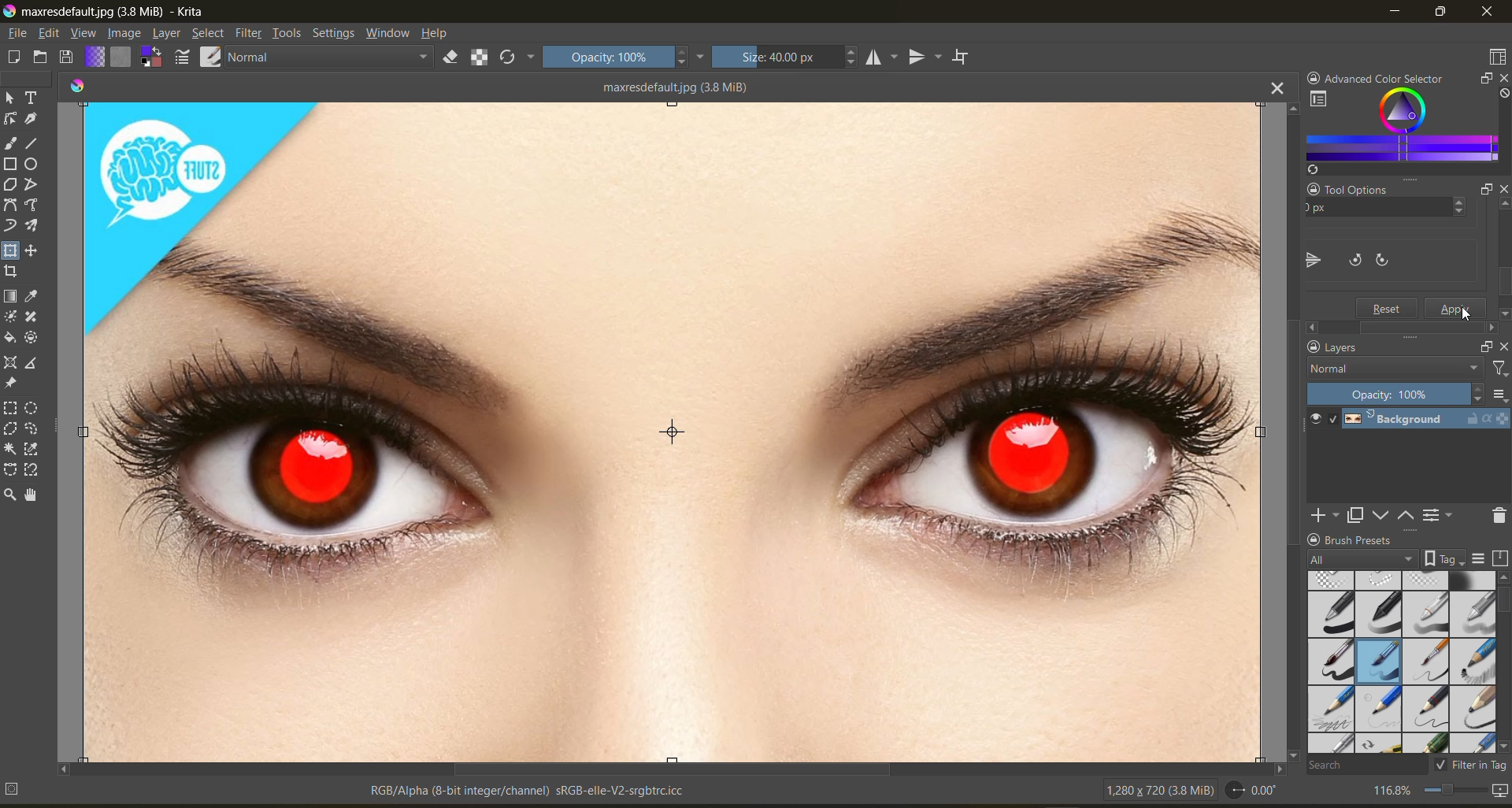  What do you see at coordinates (1451, 261) in the screenshot?
I see `rotate canvas clockwise` at bounding box center [1451, 261].